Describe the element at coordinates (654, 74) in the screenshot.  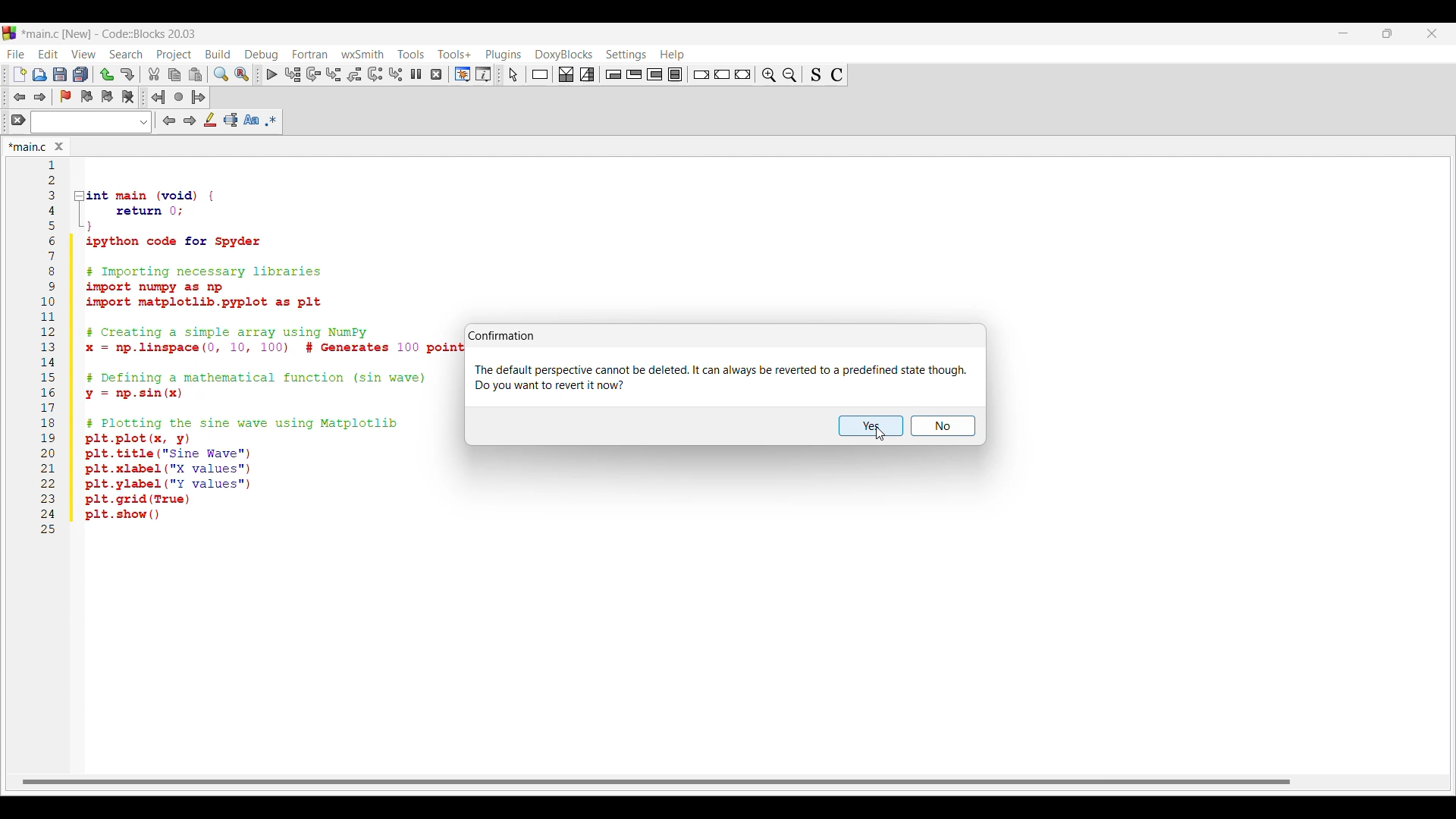
I see `Counting loop` at that location.